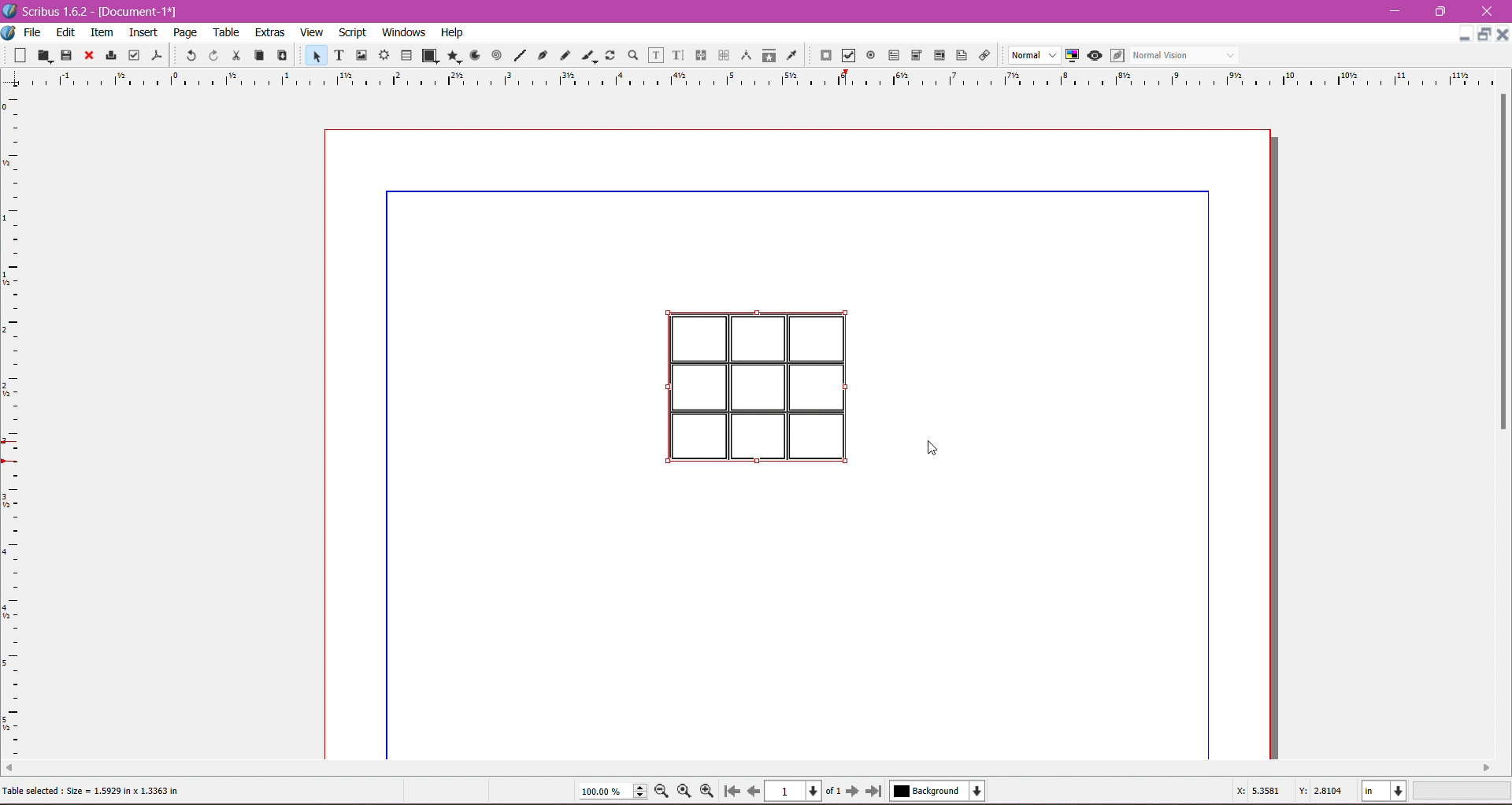 The image size is (1512, 805). Describe the element at coordinates (159, 52) in the screenshot. I see `Save as PDF` at that location.